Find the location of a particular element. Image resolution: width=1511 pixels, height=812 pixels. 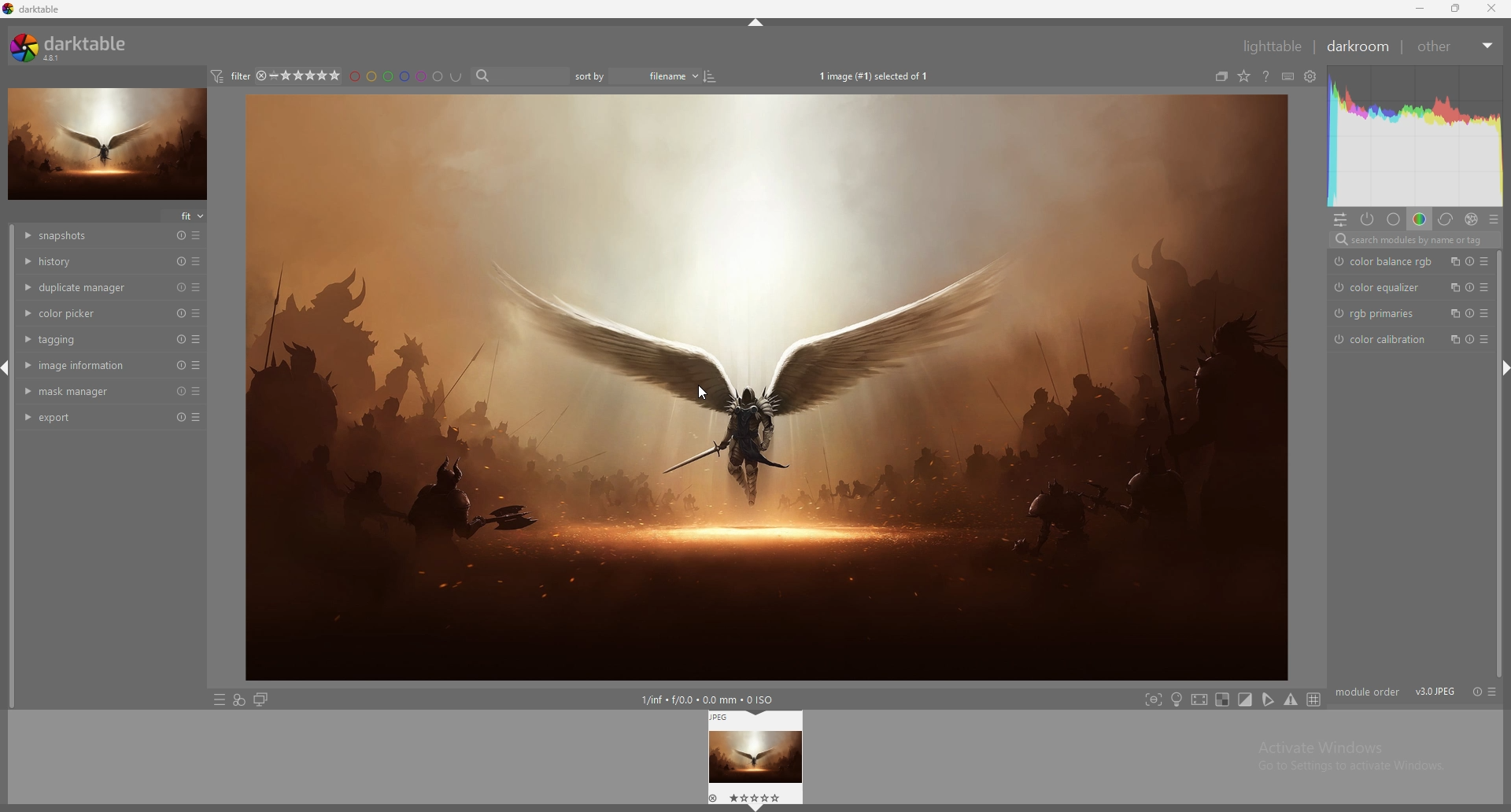

online help is located at coordinates (1269, 76).